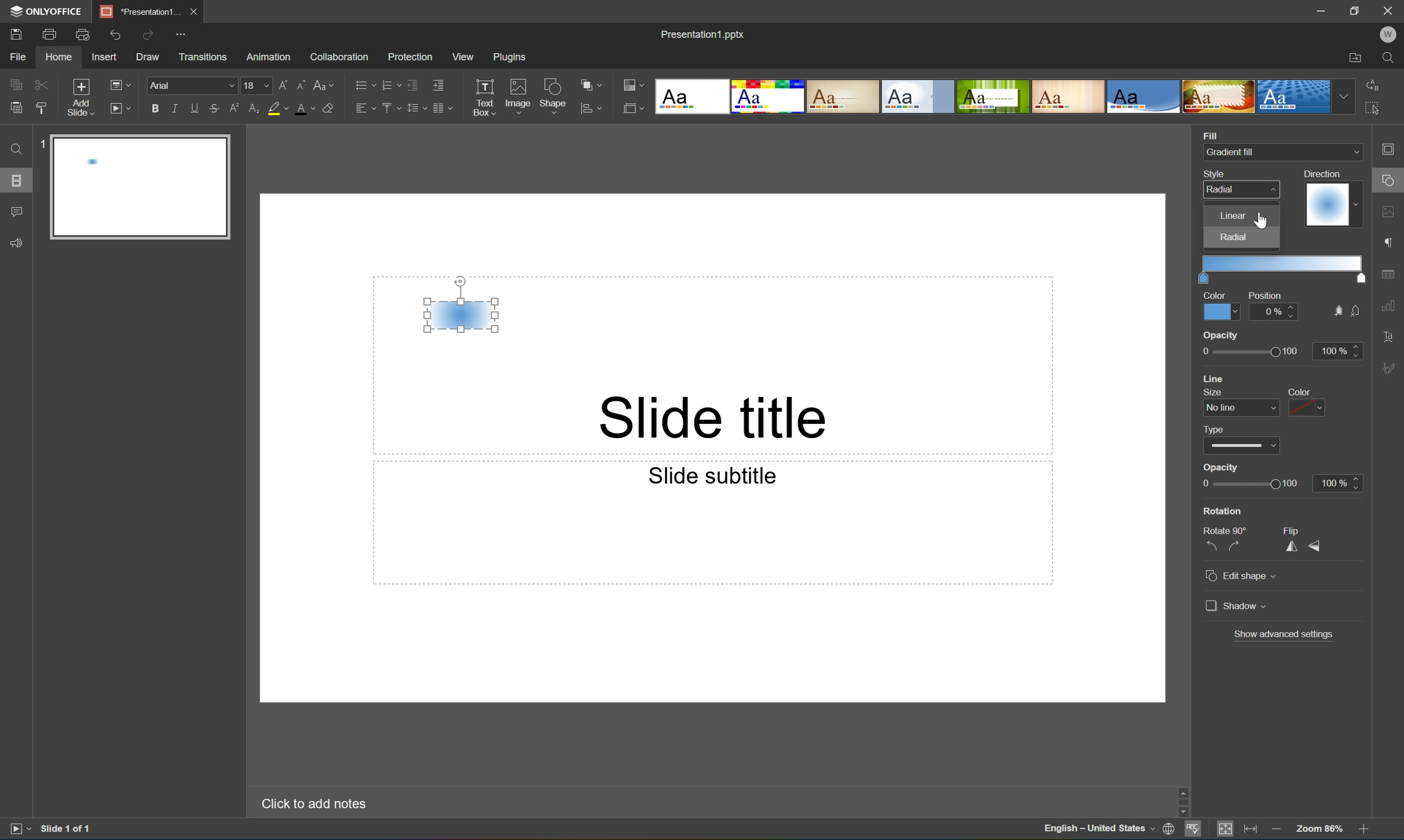 This screenshot has width=1404, height=840. Describe the element at coordinates (1236, 546) in the screenshot. I see `Rotate 90° clockwise` at that location.